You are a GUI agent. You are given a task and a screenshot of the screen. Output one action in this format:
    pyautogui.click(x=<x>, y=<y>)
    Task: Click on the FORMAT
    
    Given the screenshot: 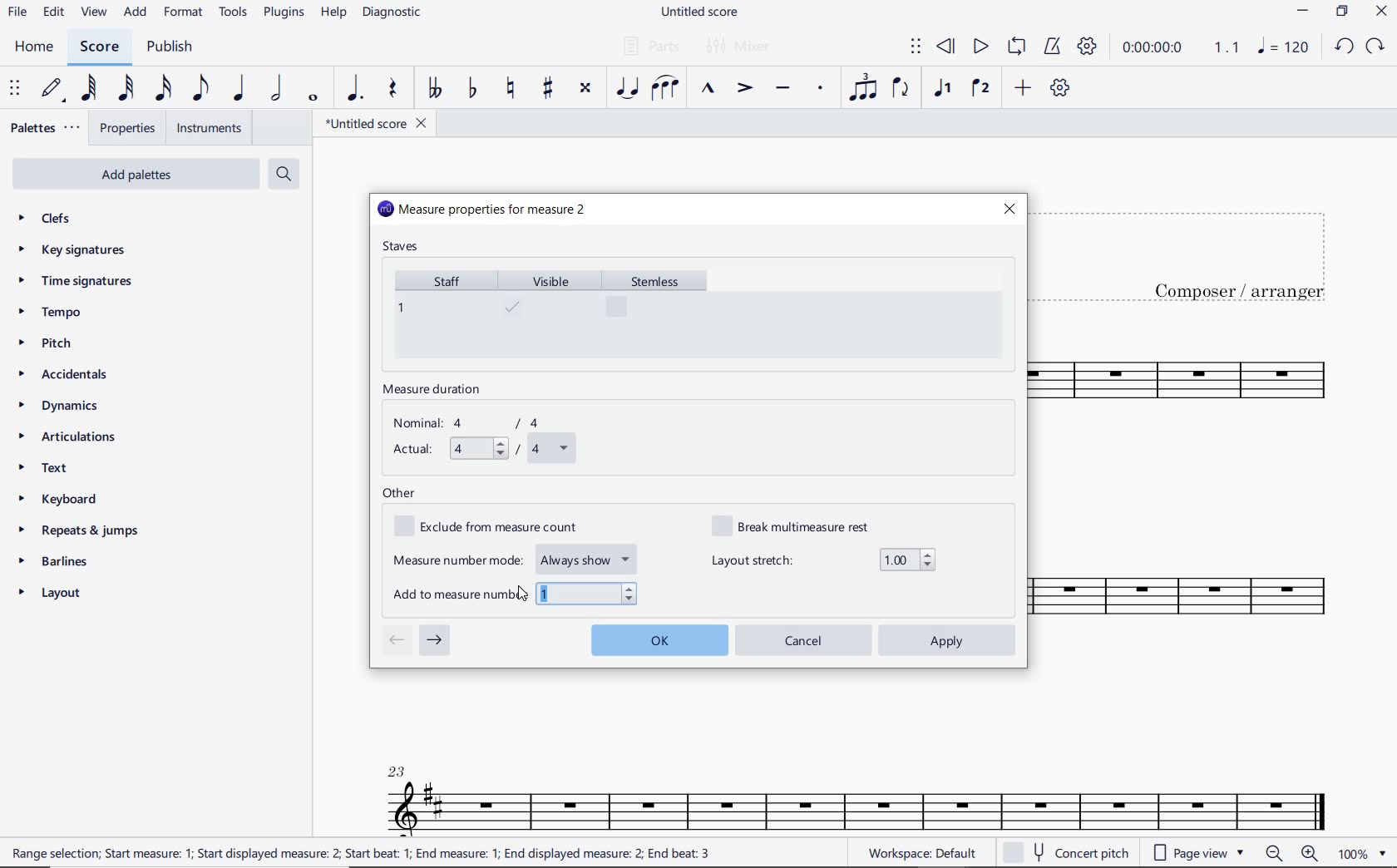 What is the action you would take?
    pyautogui.click(x=185, y=13)
    